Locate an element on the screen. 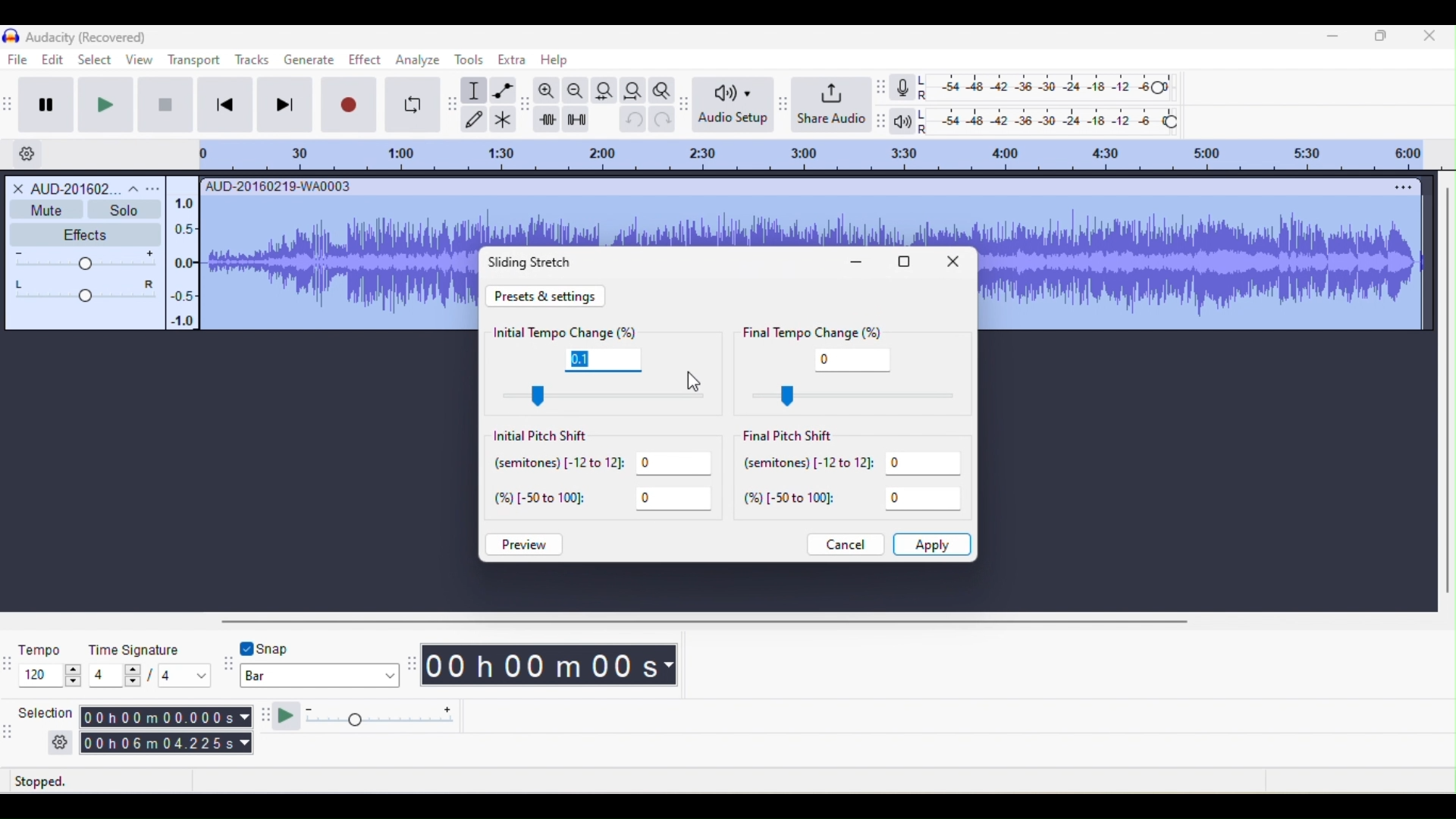 This screenshot has width=1456, height=819. 00 h 00 m 00.000 s is located at coordinates (166, 717).